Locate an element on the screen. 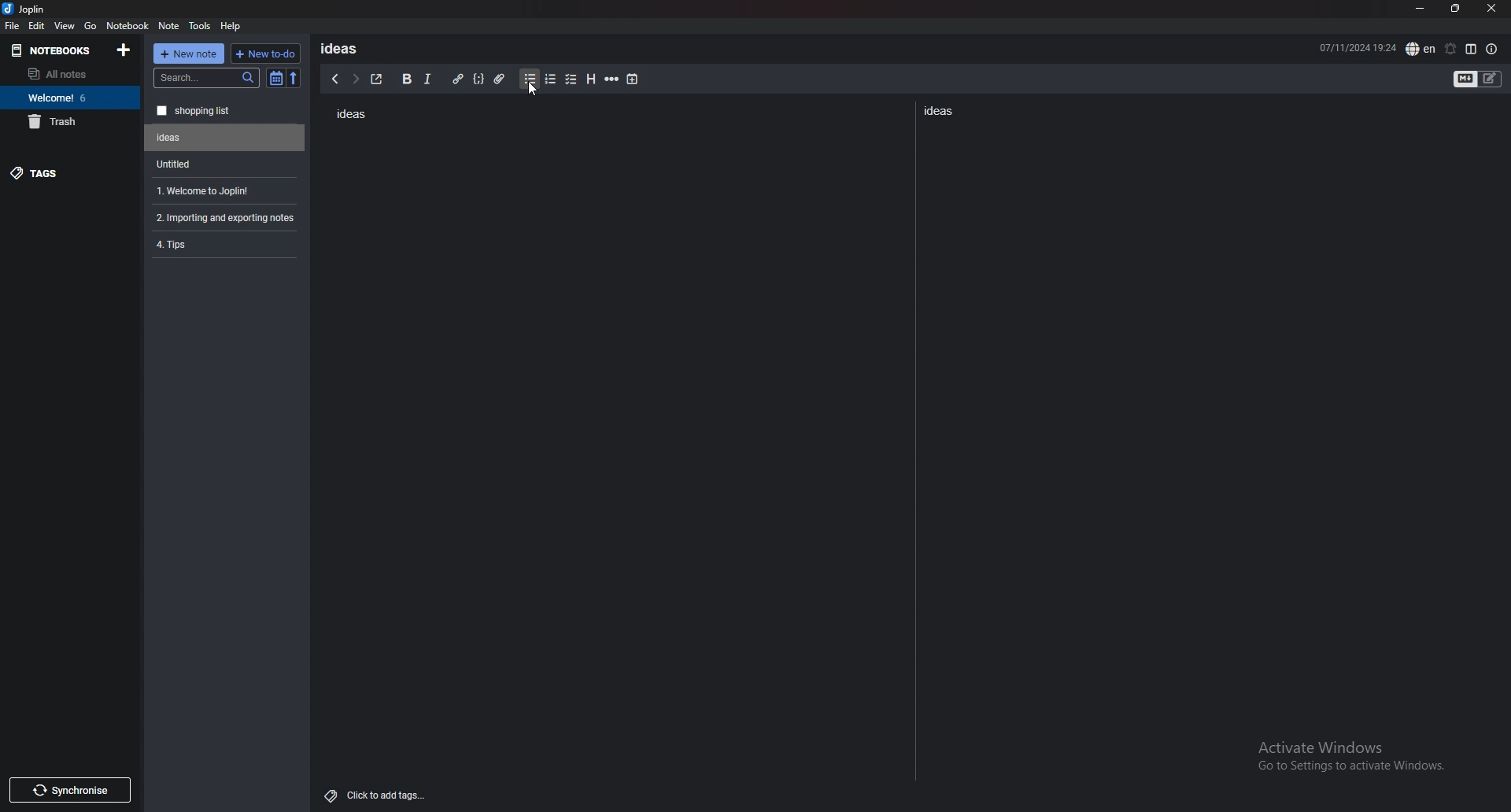 The image size is (1511, 812). attachment is located at coordinates (502, 76).